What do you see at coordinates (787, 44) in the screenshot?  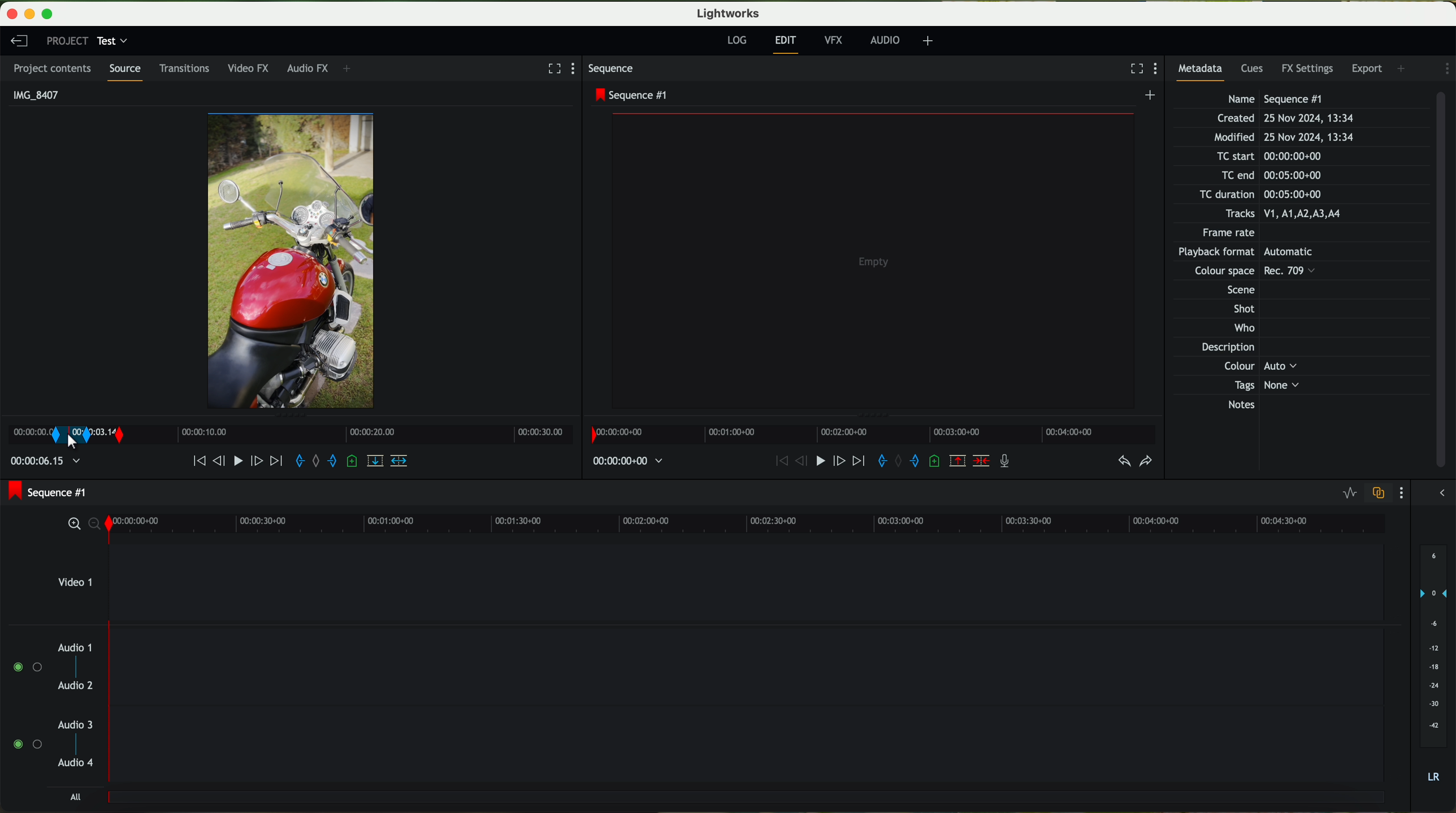 I see `edit` at bounding box center [787, 44].